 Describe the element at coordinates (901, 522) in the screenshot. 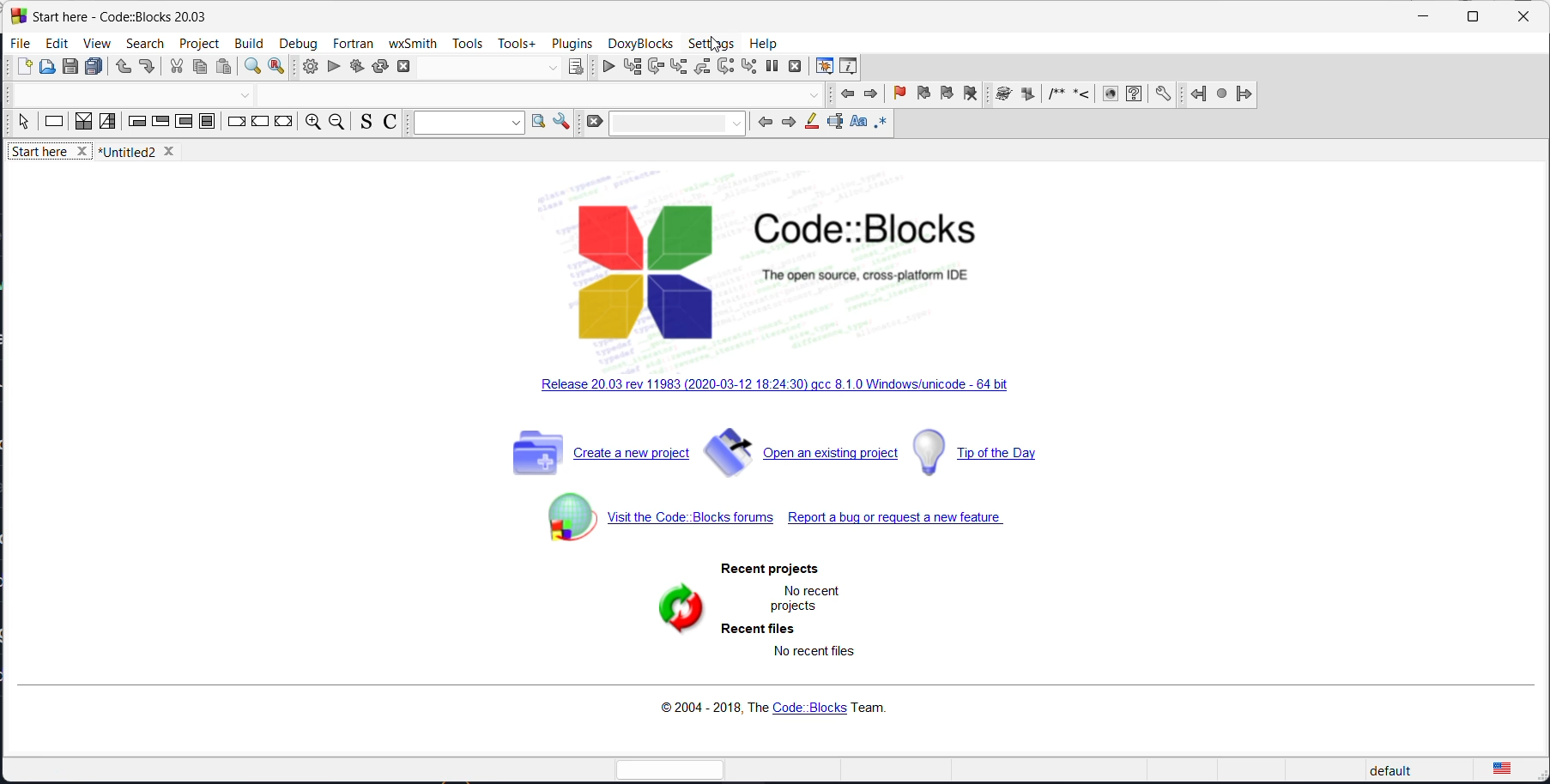

I see `report bug` at that location.